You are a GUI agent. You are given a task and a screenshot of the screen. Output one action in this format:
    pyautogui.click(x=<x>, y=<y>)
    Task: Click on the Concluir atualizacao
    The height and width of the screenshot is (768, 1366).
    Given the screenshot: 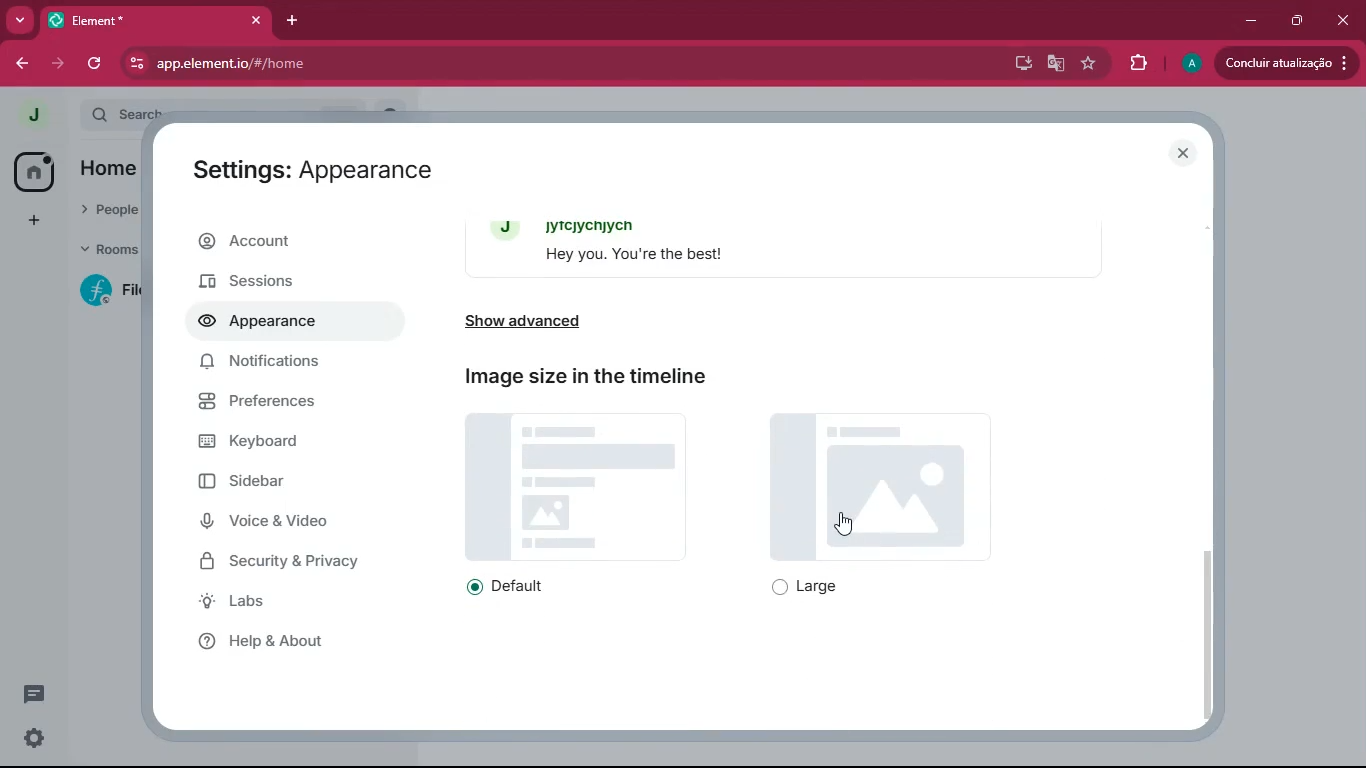 What is the action you would take?
    pyautogui.click(x=1283, y=64)
    